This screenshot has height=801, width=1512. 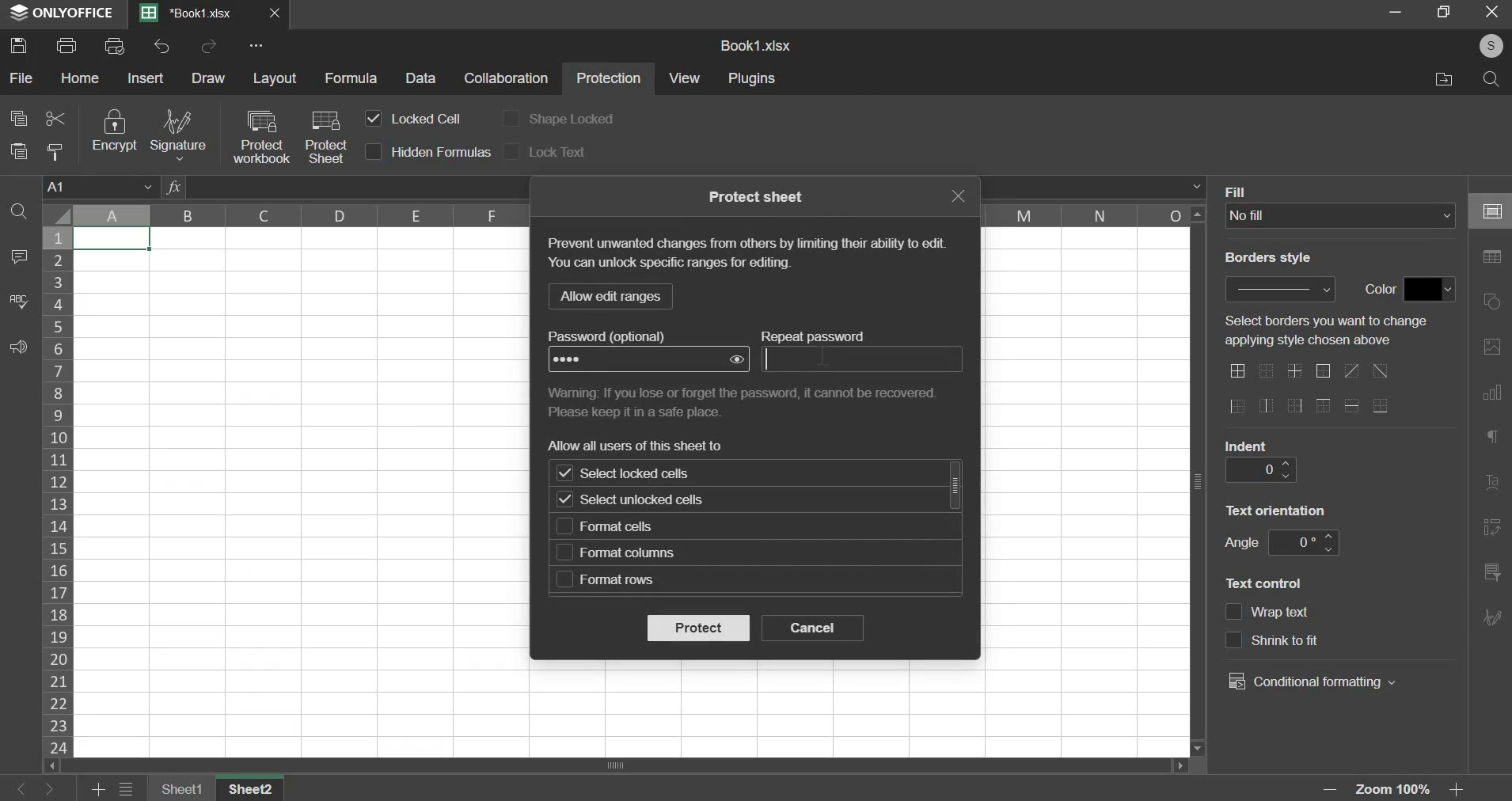 What do you see at coordinates (146, 78) in the screenshot?
I see `insert` at bounding box center [146, 78].